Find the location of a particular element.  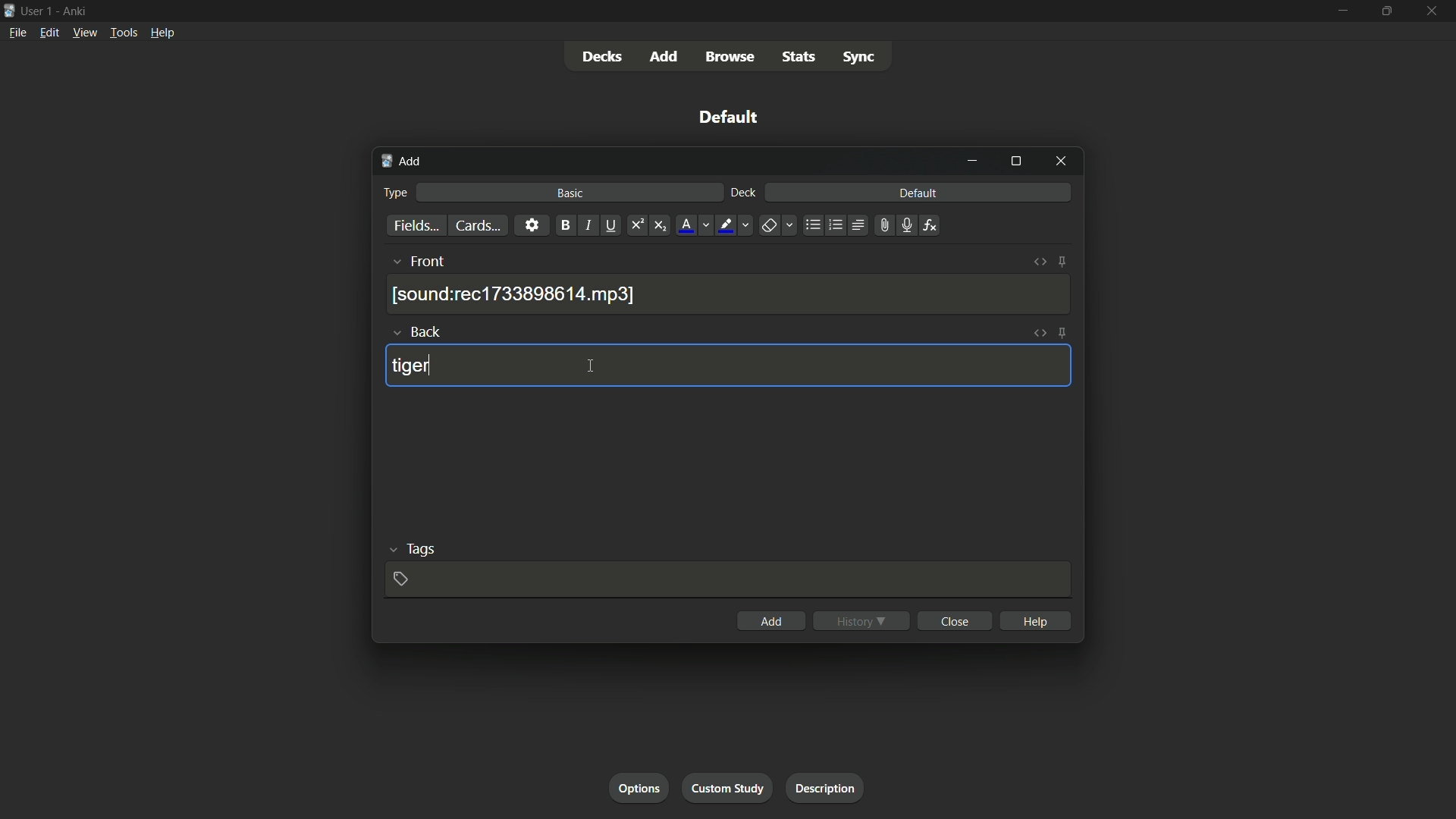

cards is located at coordinates (475, 225).